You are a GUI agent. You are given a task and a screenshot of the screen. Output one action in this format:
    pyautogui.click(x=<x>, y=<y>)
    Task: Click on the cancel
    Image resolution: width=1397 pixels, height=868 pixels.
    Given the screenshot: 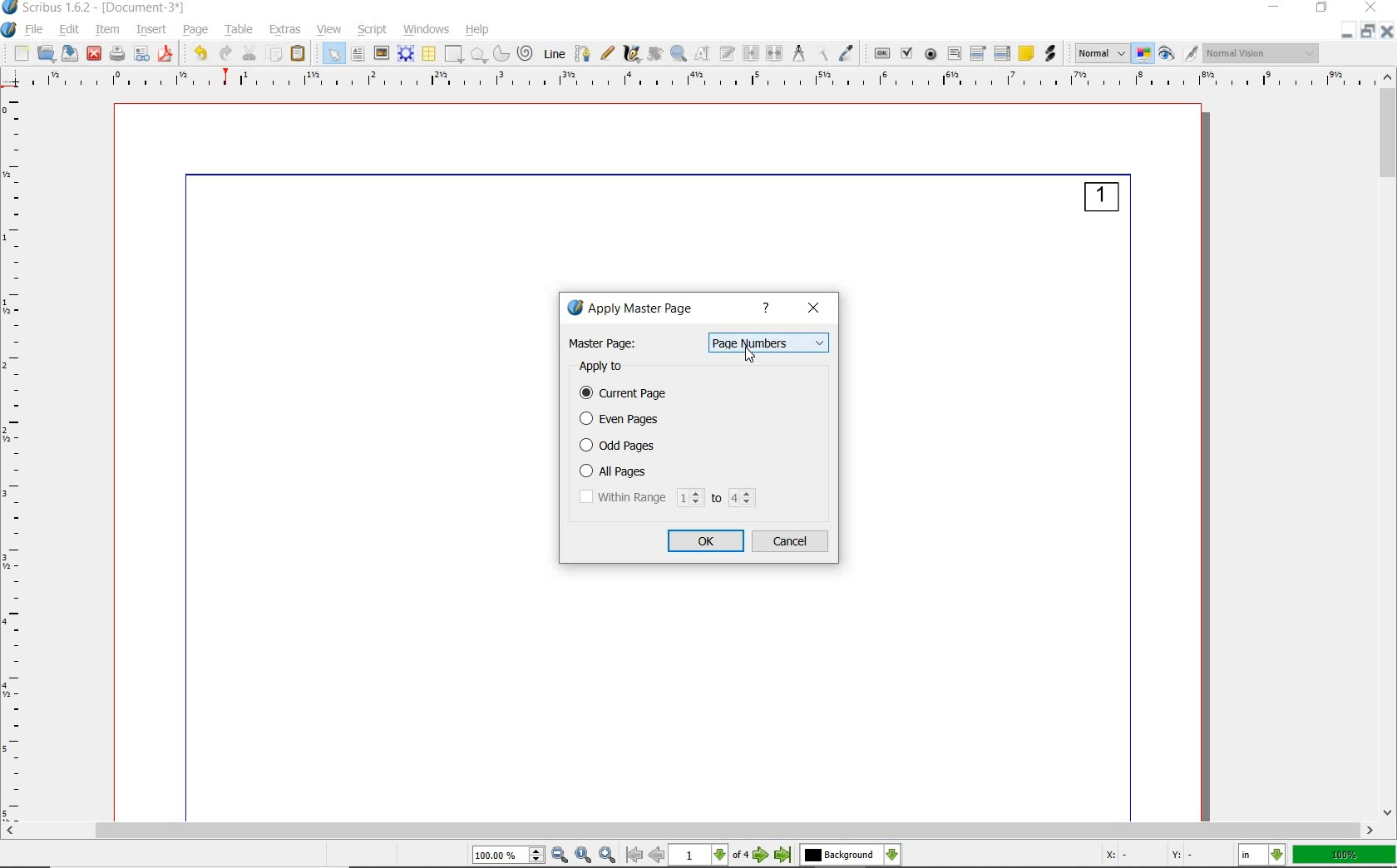 What is the action you would take?
    pyautogui.click(x=792, y=542)
    